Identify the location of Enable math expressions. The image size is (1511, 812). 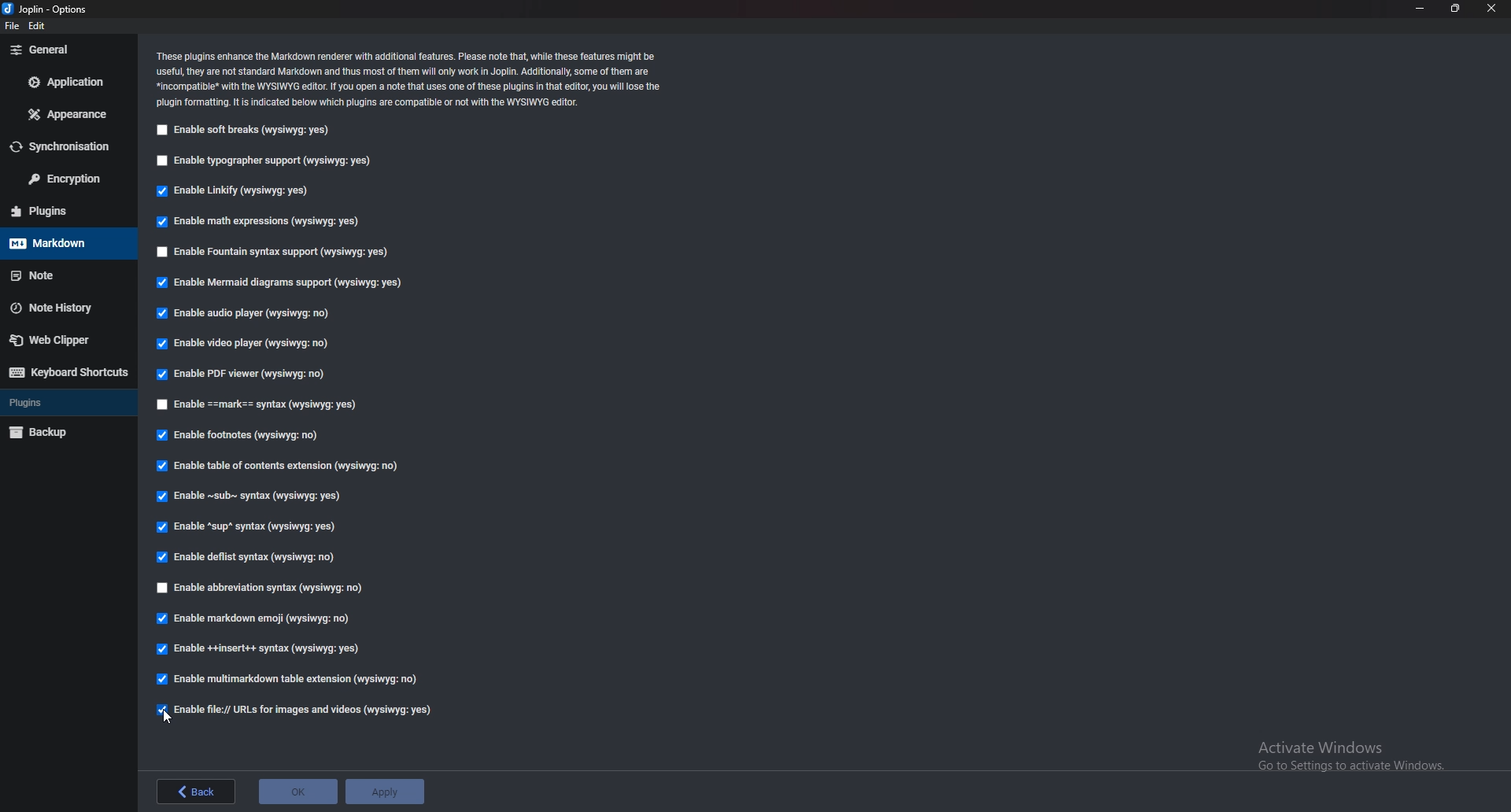
(268, 223).